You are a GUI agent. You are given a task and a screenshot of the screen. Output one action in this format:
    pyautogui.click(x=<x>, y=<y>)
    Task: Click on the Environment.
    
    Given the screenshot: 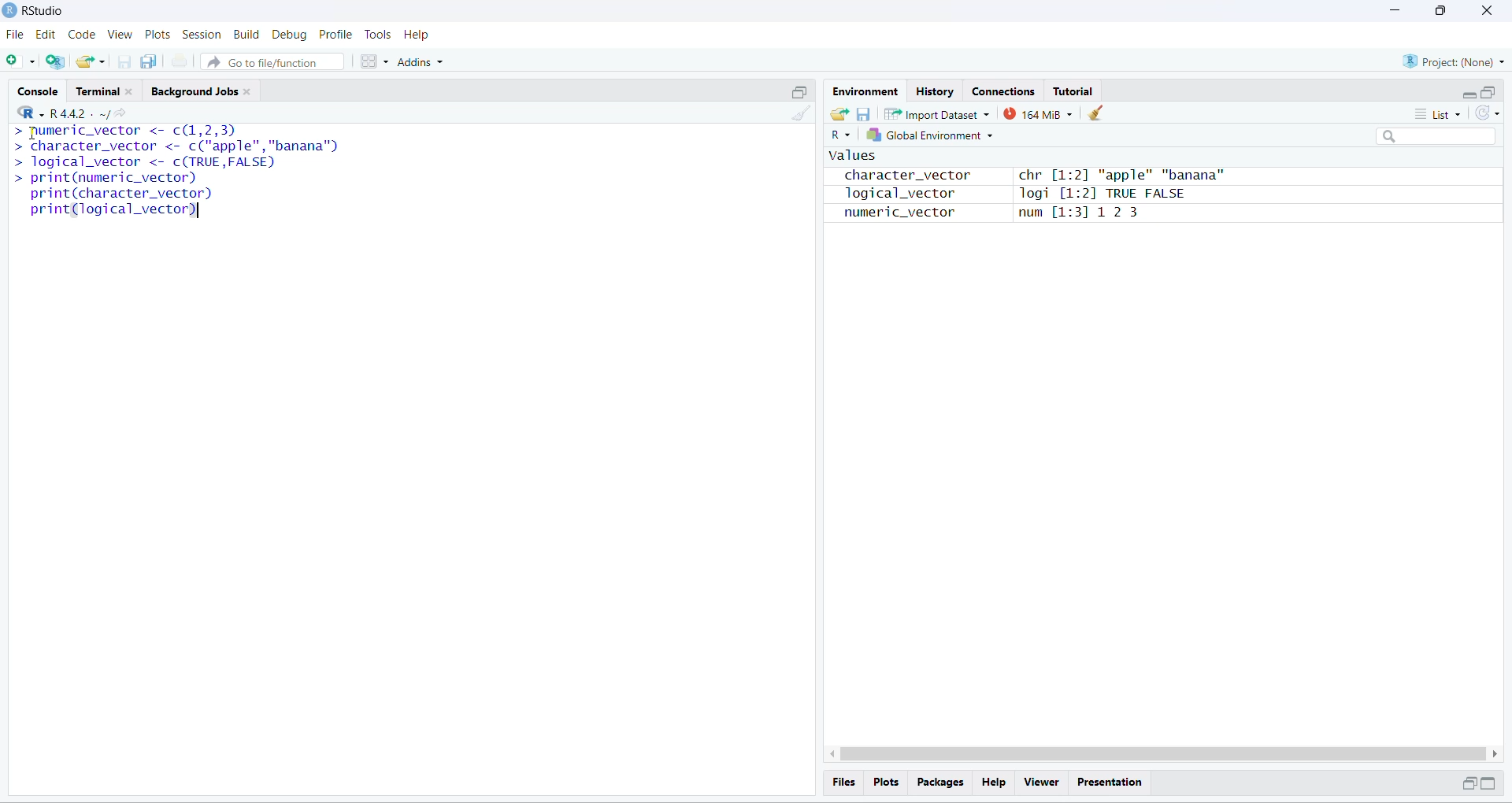 What is the action you would take?
    pyautogui.click(x=864, y=91)
    